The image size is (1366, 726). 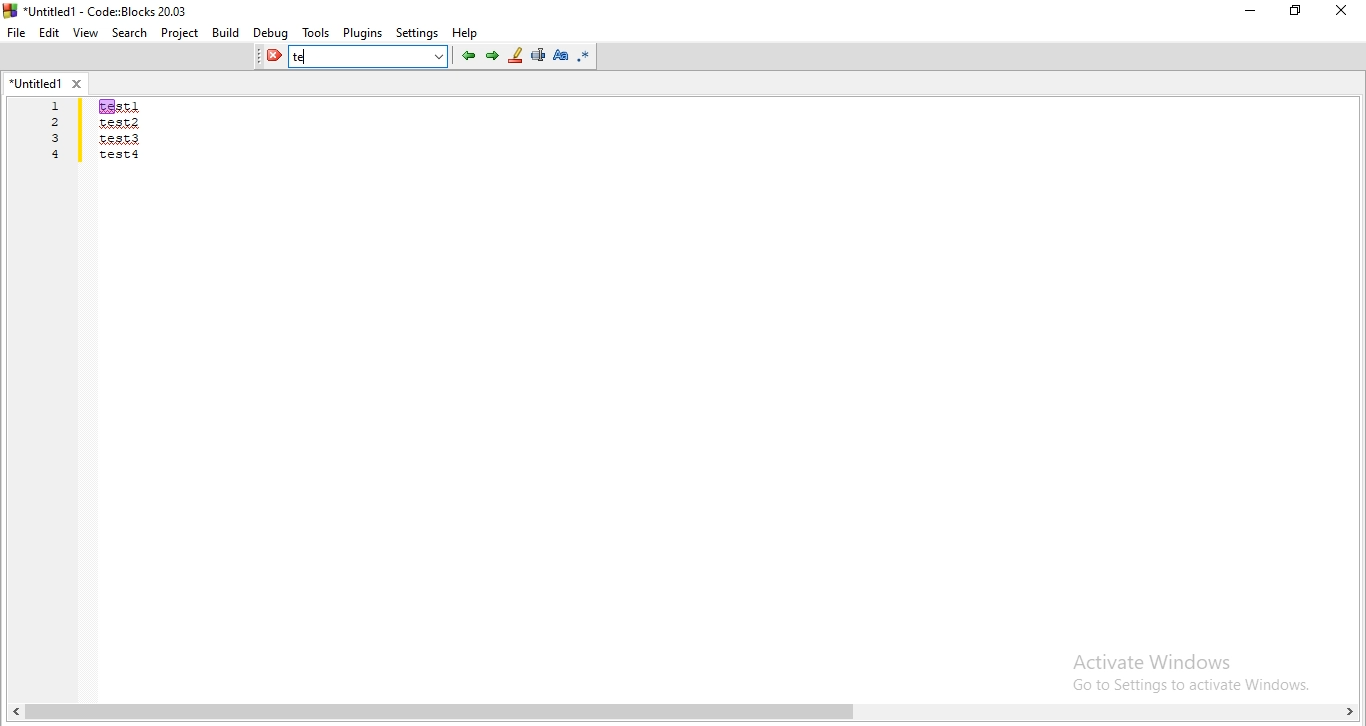 What do you see at coordinates (1246, 14) in the screenshot?
I see `Minimise` at bounding box center [1246, 14].